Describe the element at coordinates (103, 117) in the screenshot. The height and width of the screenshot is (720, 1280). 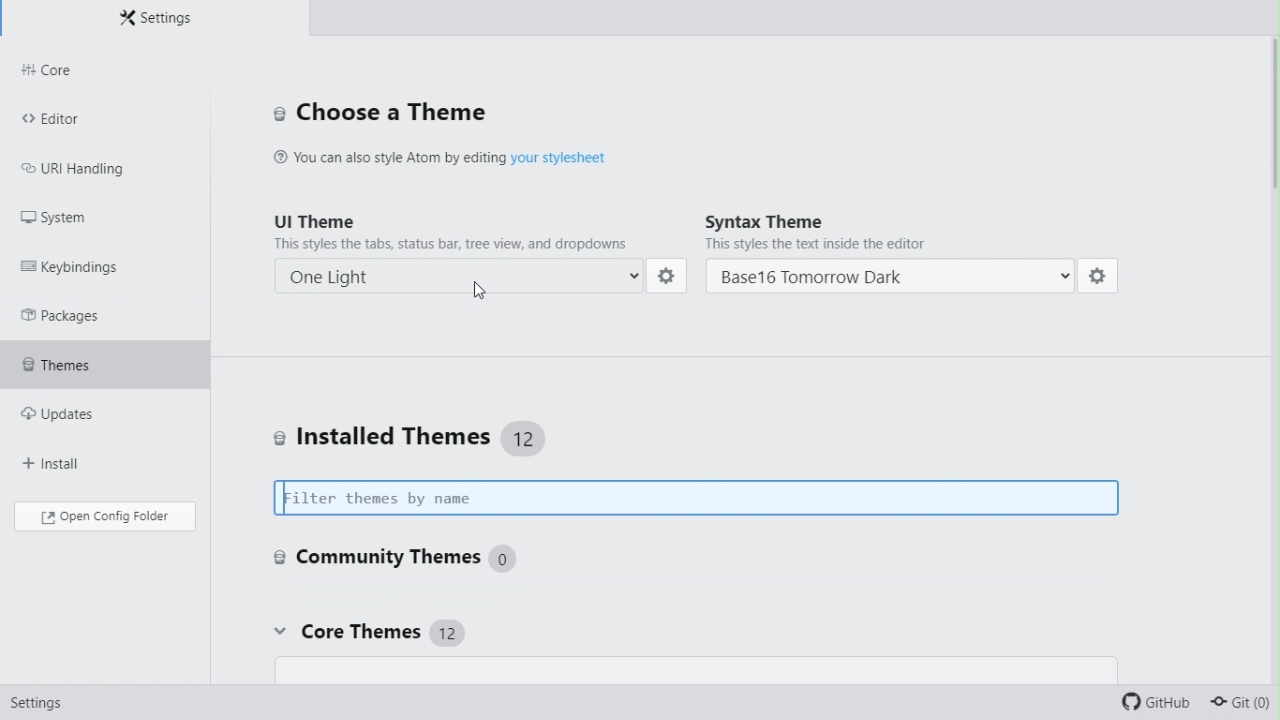
I see `Editor` at that location.